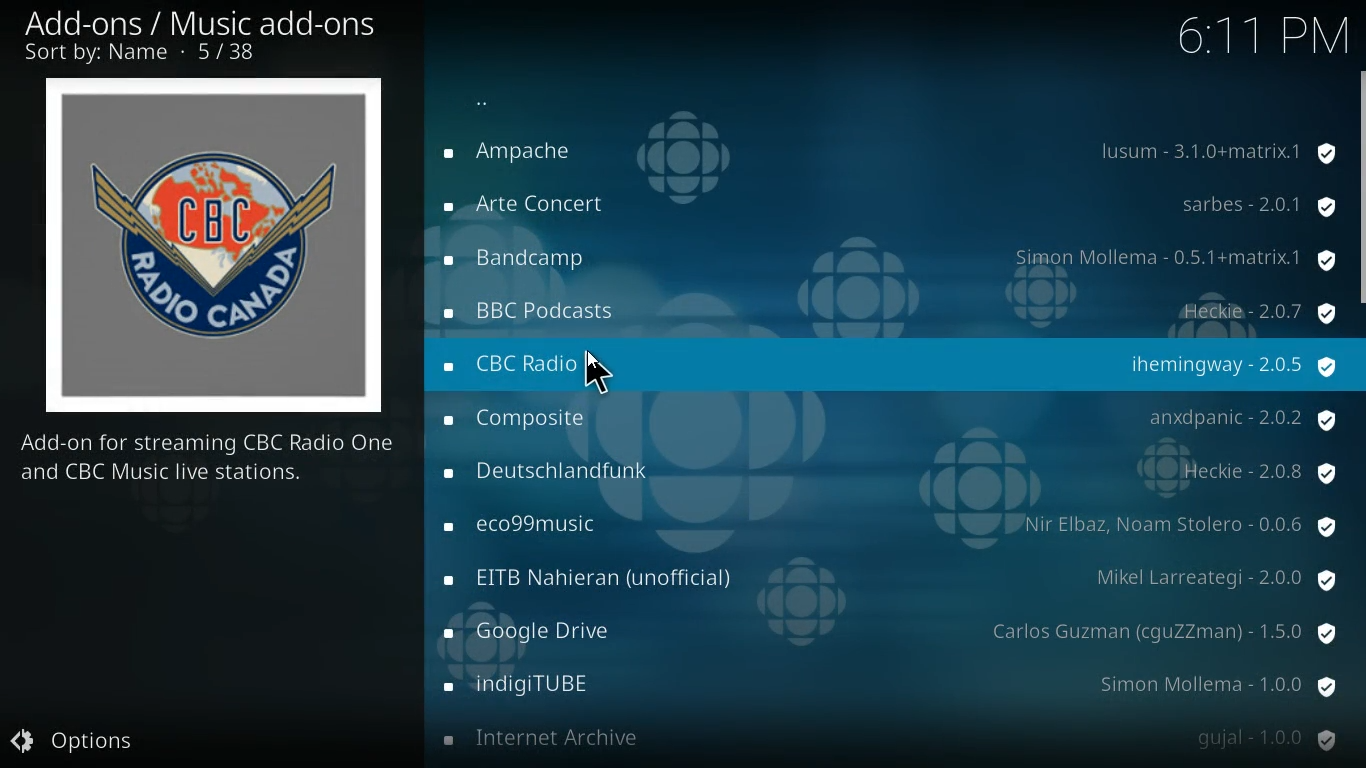  I want to click on radio name, so click(531, 679).